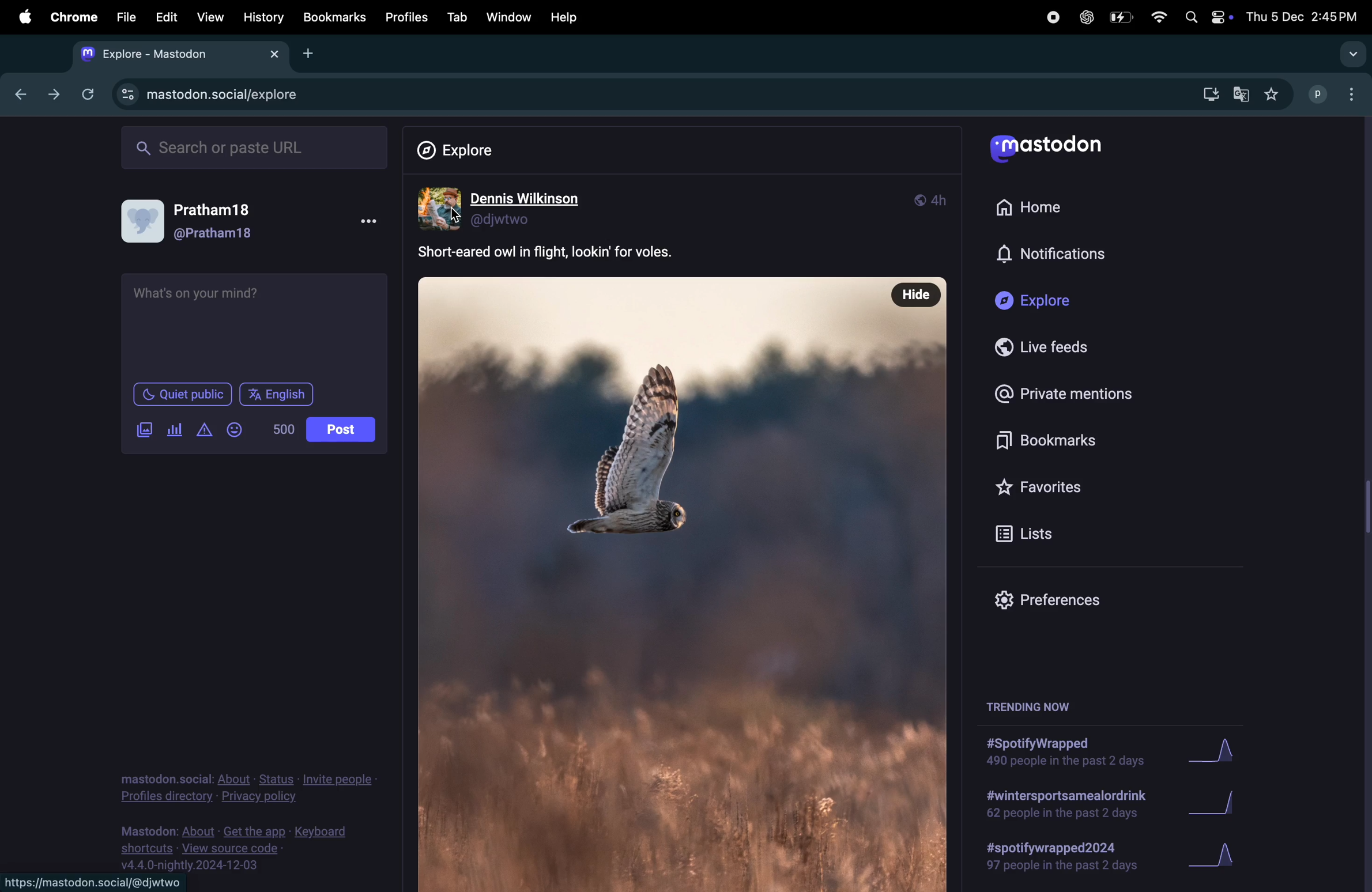 Image resolution: width=1372 pixels, height=892 pixels. I want to click on search url, so click(250, 149).